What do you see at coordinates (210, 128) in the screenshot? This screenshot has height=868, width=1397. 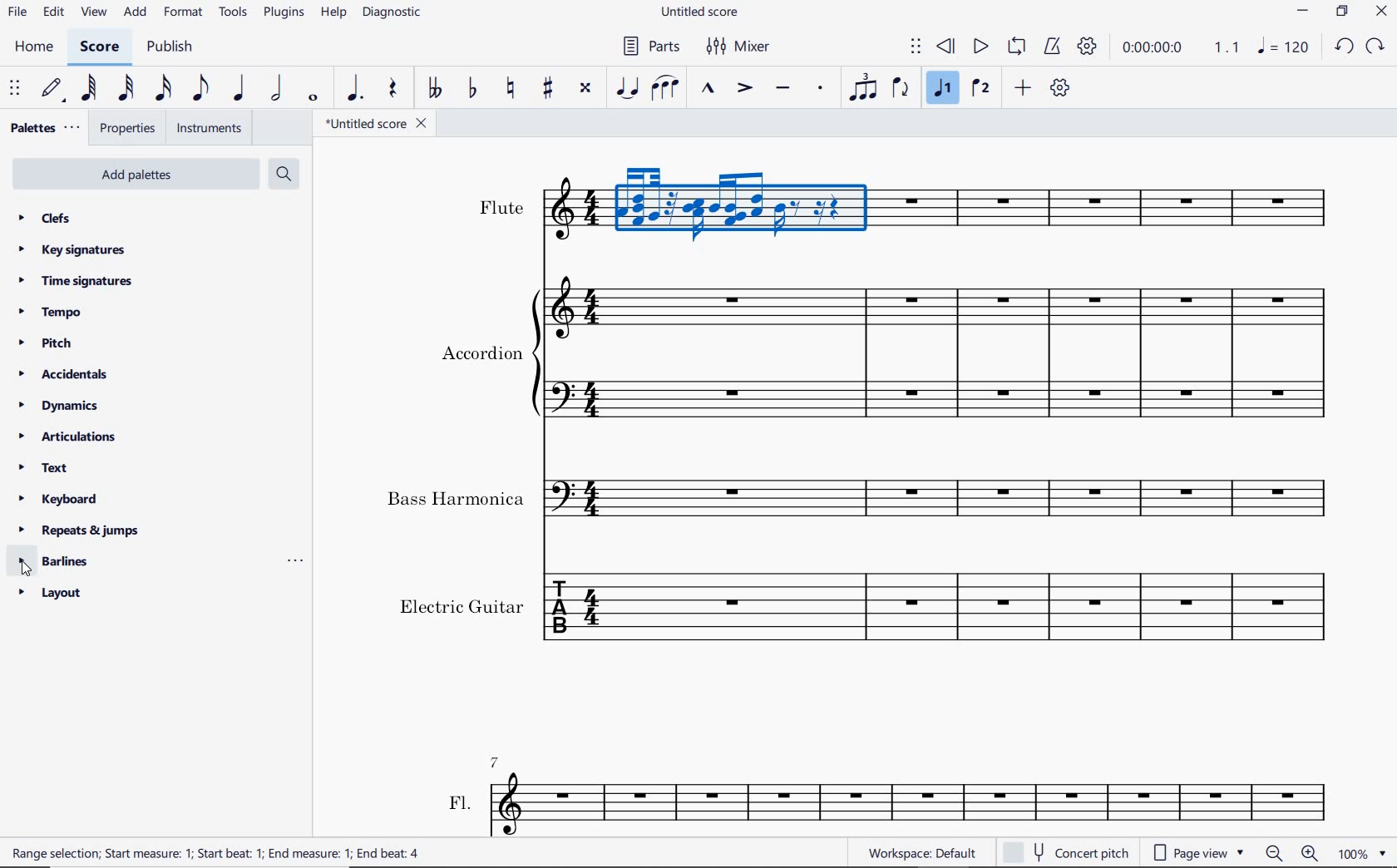 I see `instruments` at bounding box center [210, 128].